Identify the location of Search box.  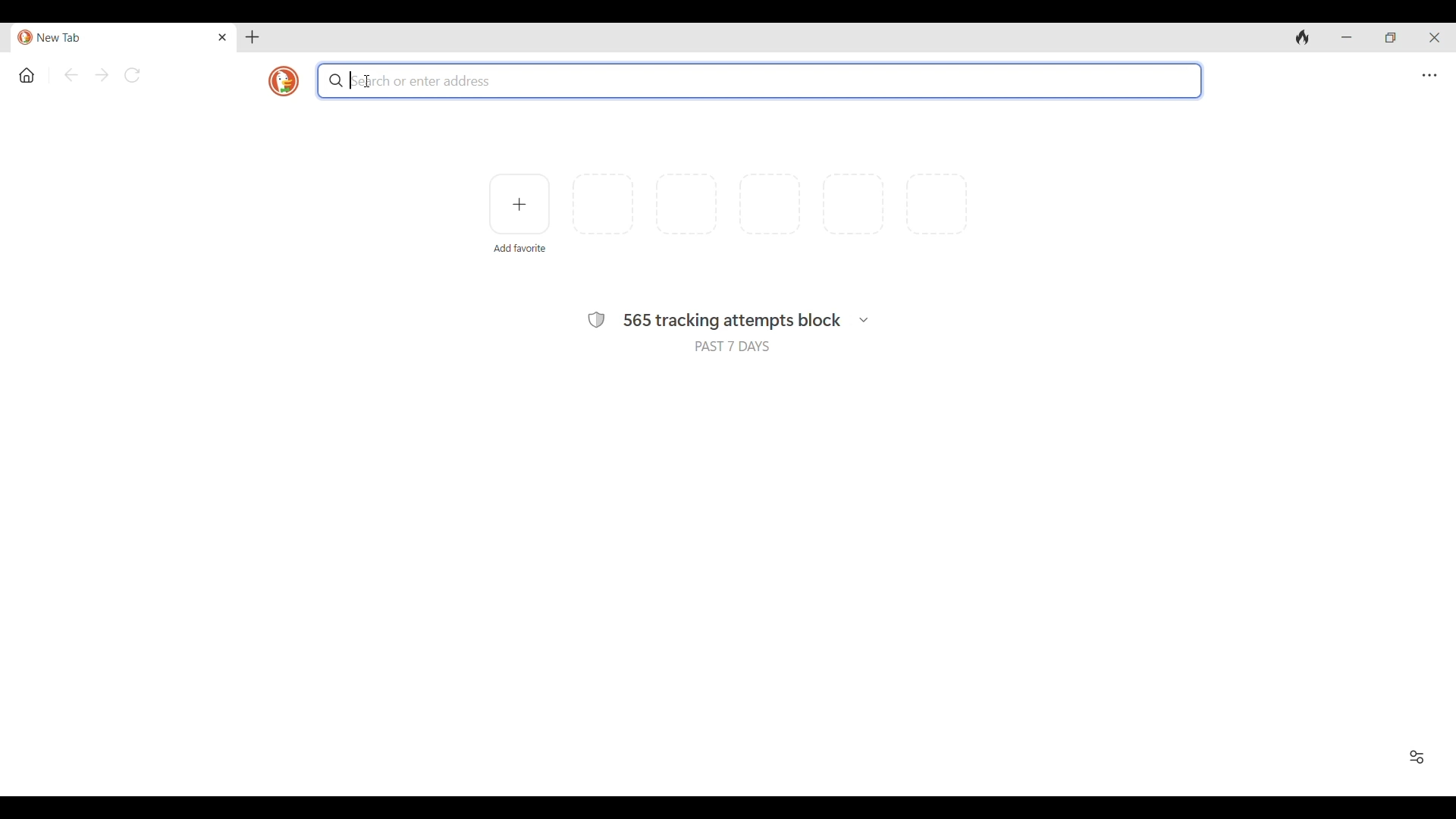
(789, 81).